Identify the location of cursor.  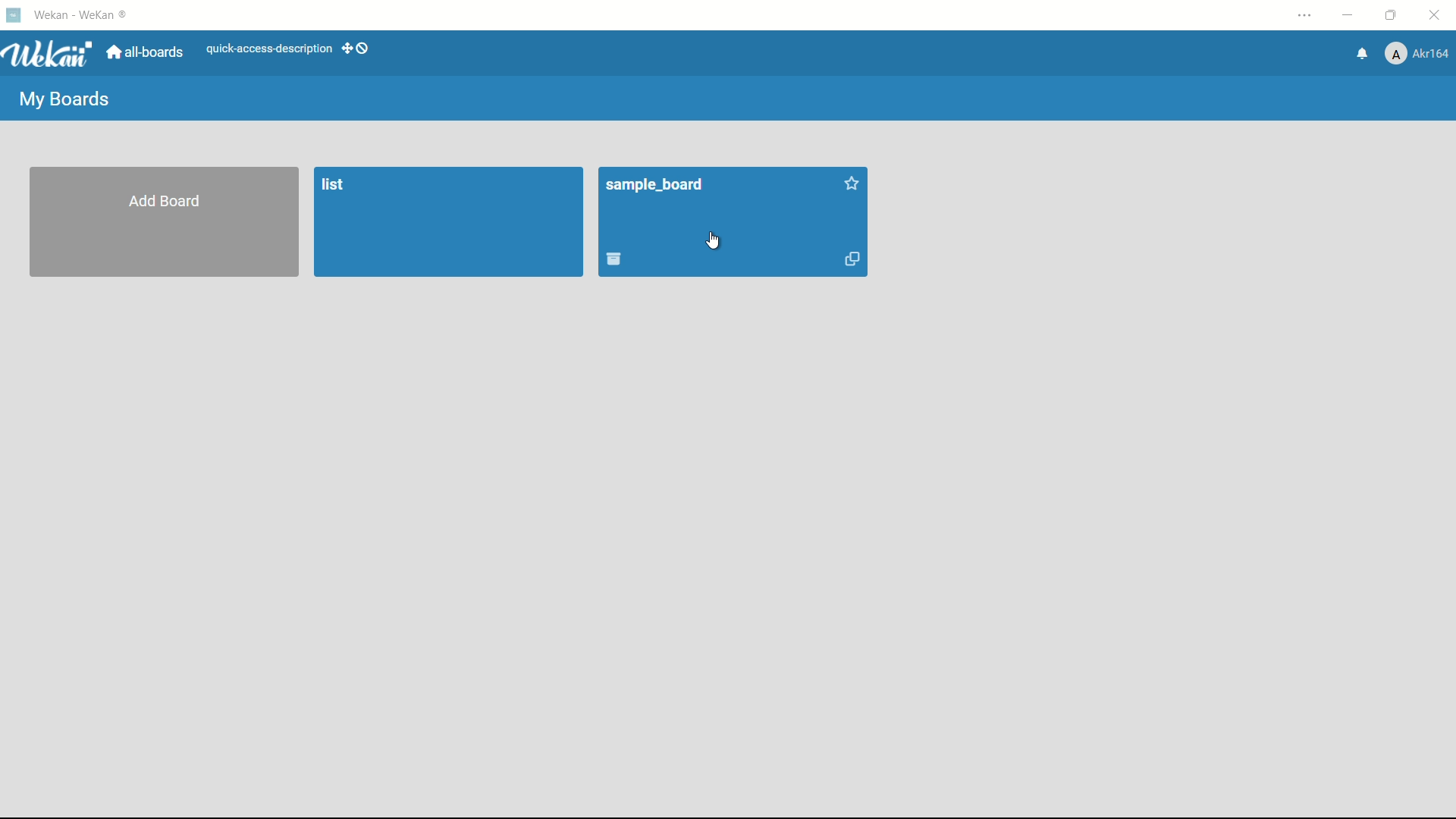
(716, 242).